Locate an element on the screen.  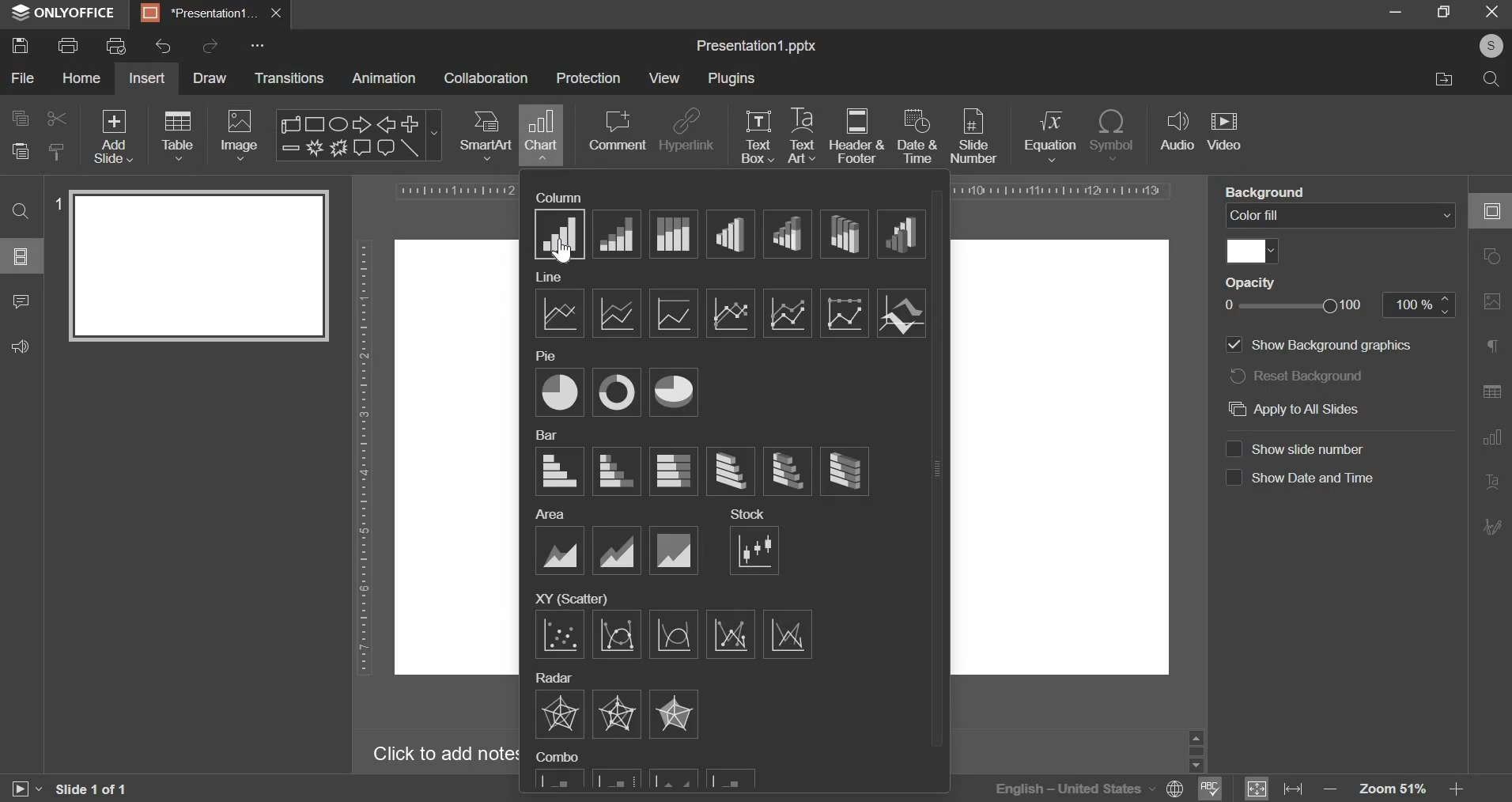
line is located at coordinates (548, 278).